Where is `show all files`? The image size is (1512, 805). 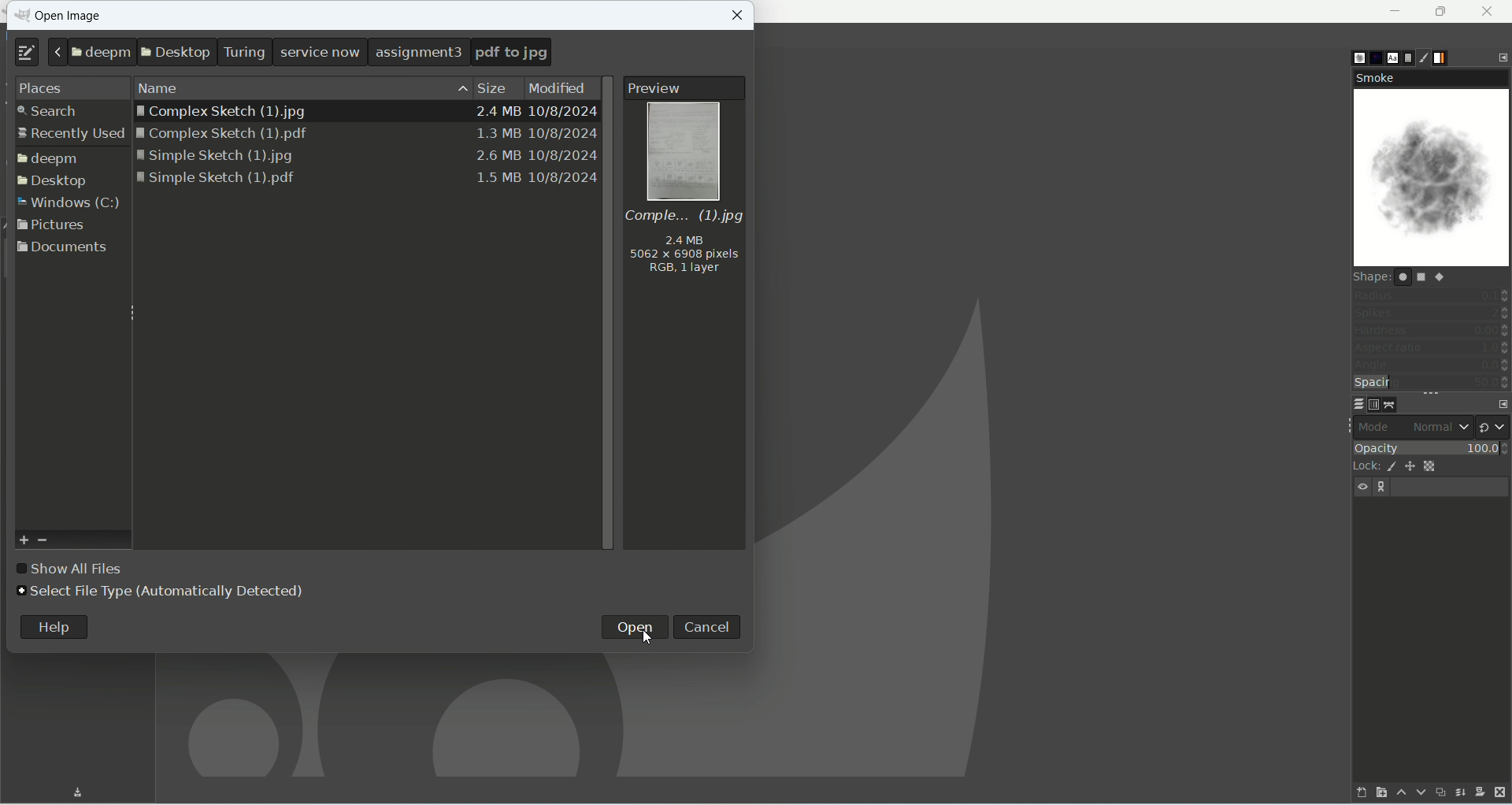
show all files is located at coordinates (72, 569).